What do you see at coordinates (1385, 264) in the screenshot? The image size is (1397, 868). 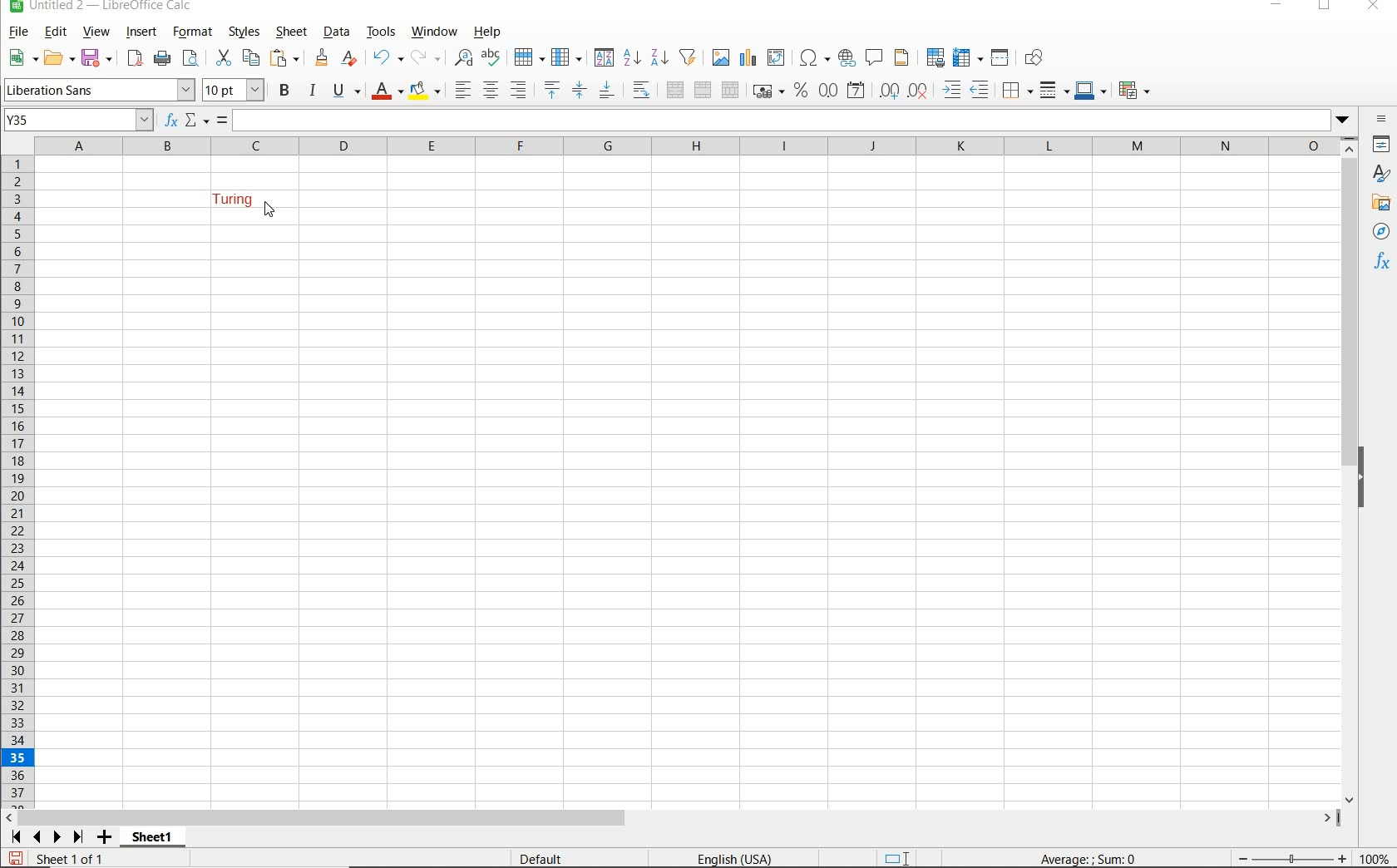 I see `FUNCTIONS` at bounding box center [1385, 264].